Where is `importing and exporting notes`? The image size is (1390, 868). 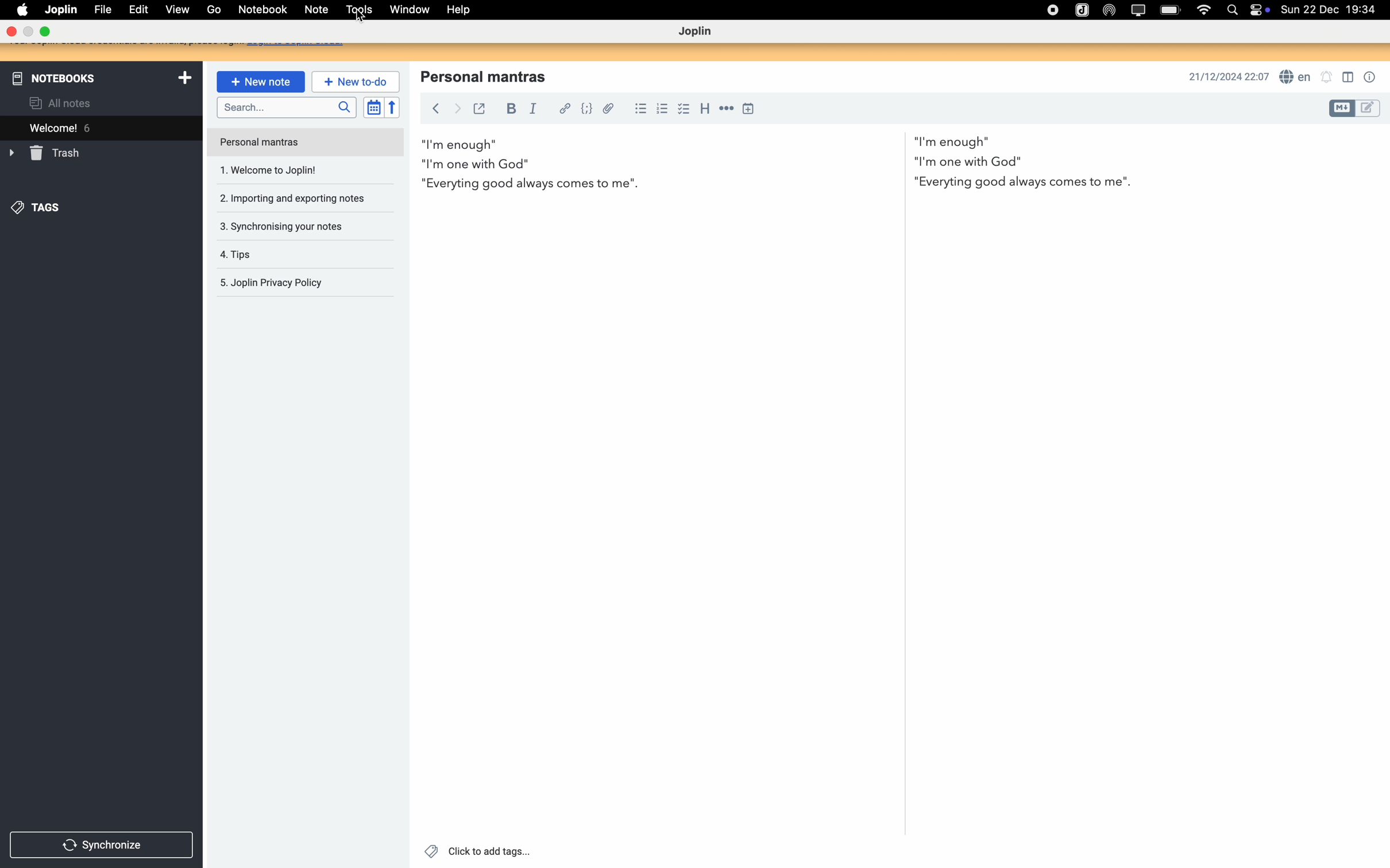 importing and exporting notes is located at coordinates (289, 200).